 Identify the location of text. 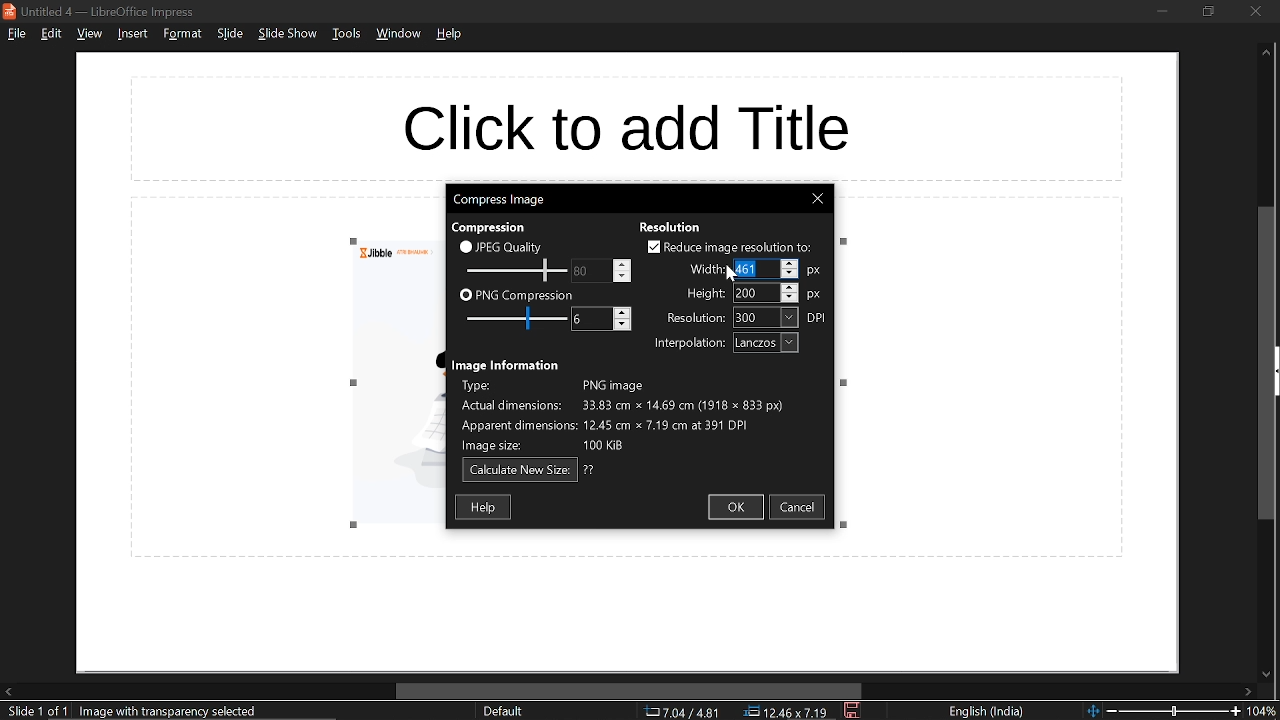
(506, 364).